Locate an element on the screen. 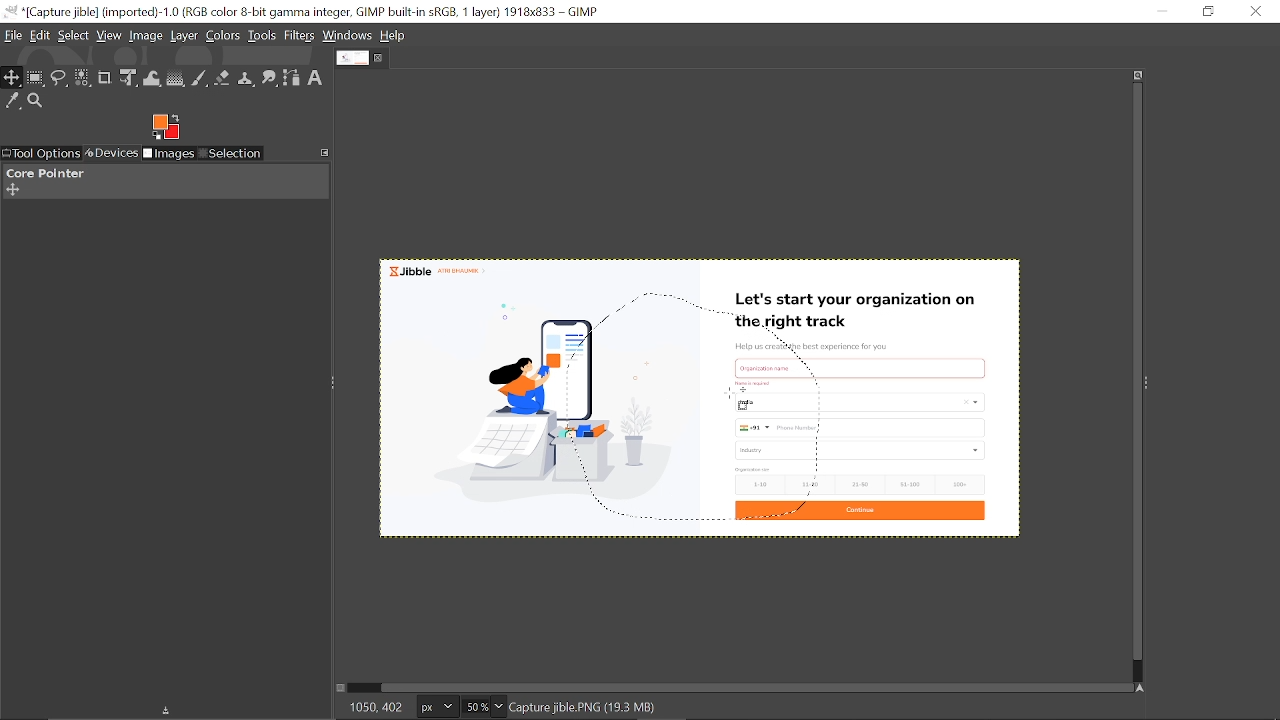  Filters is located at coordinates (300, 36).